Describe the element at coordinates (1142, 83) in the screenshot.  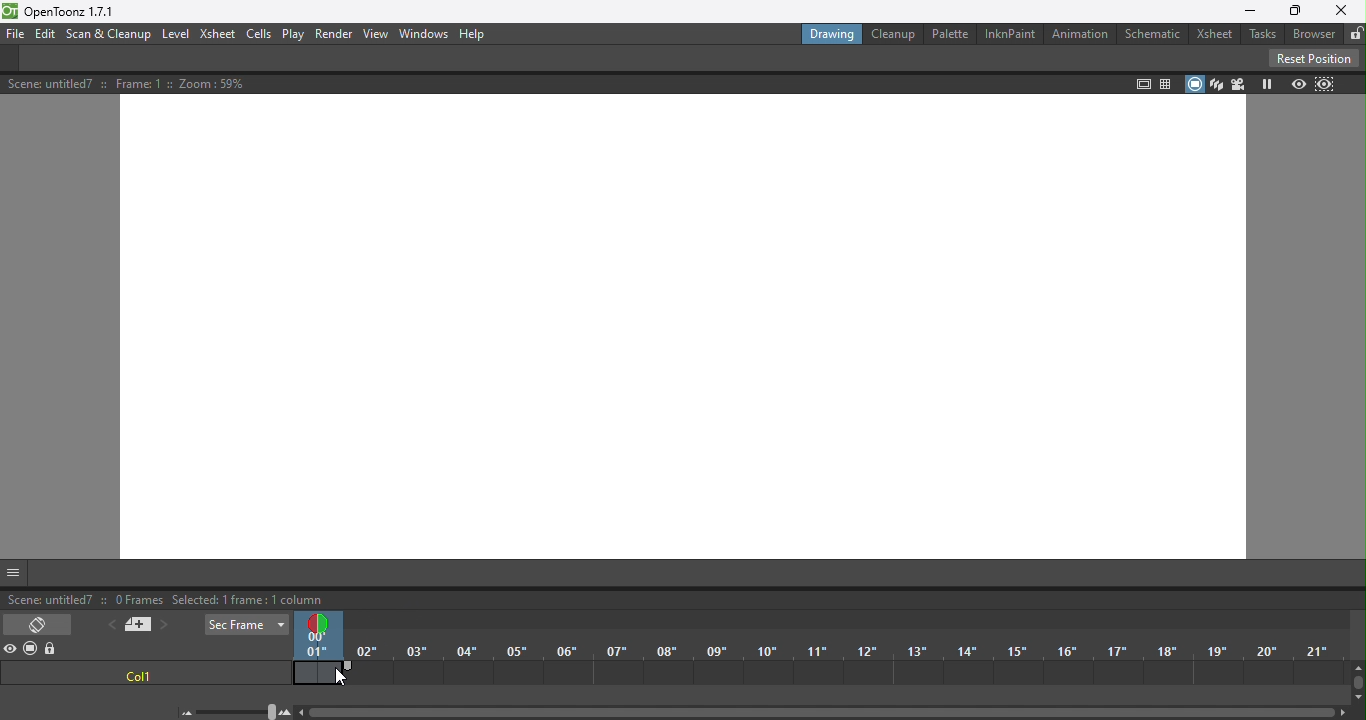
I see `Safe area` at that location.